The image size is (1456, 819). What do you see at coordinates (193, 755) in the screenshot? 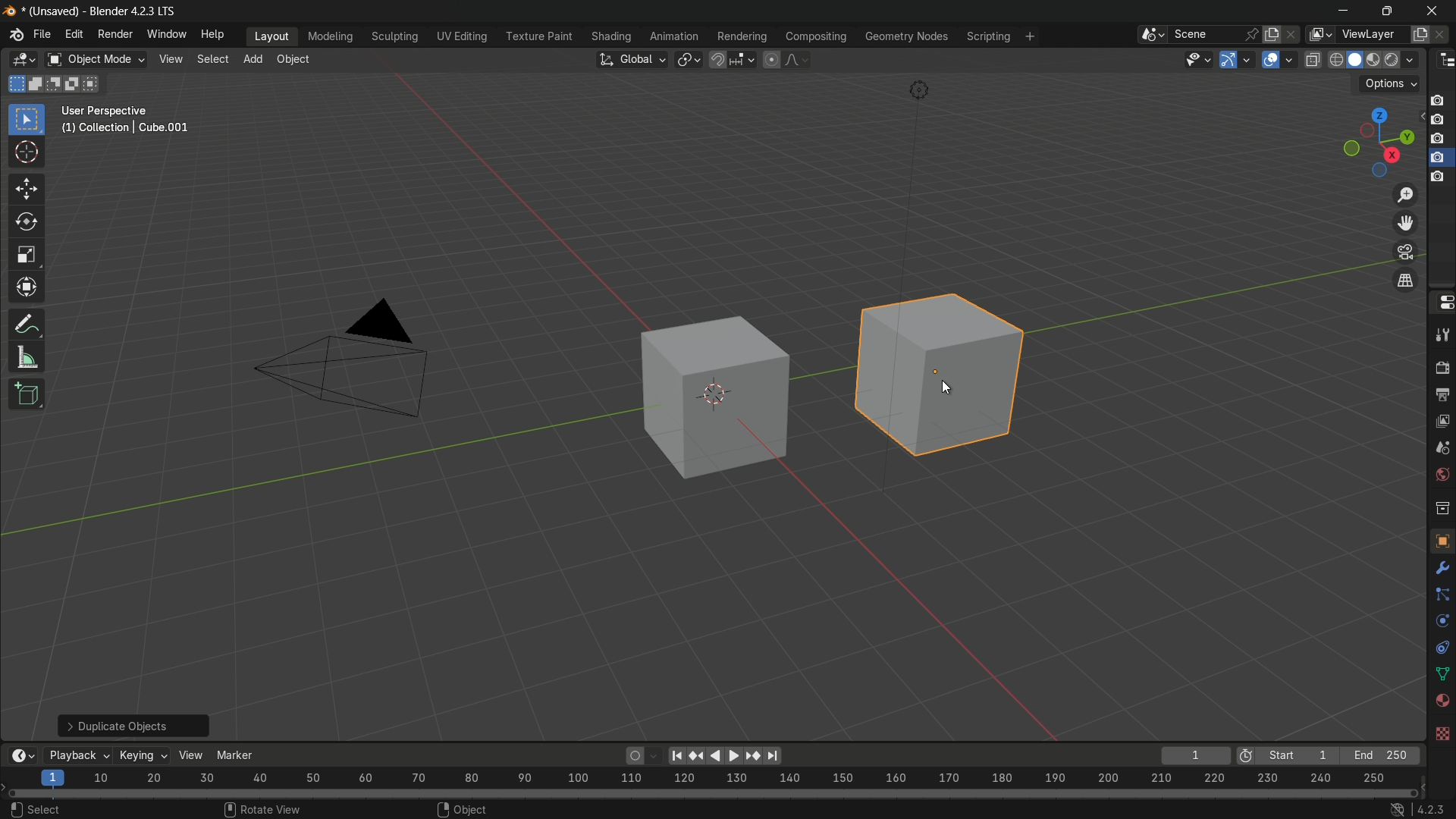
I see `view` at bounding box center [193, 755].